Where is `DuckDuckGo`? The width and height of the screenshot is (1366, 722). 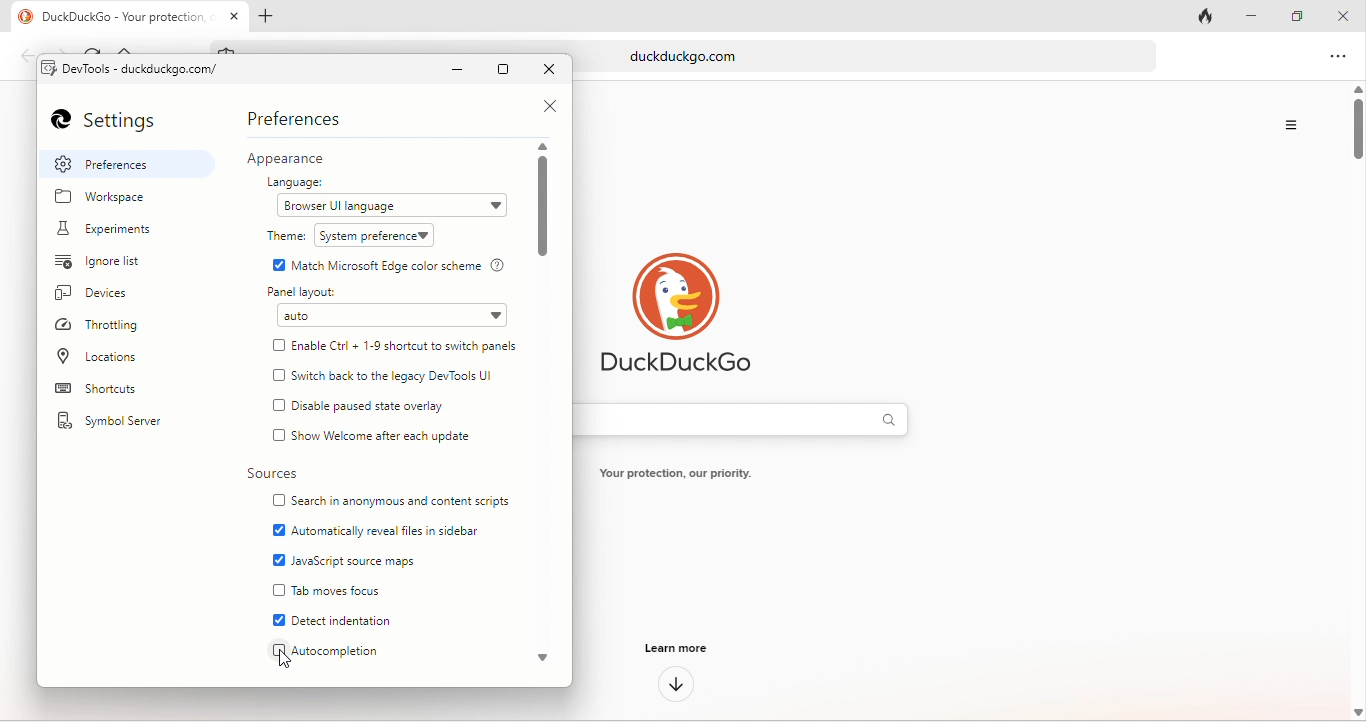 DuckDuckGo is located at coordinates (688, 361).